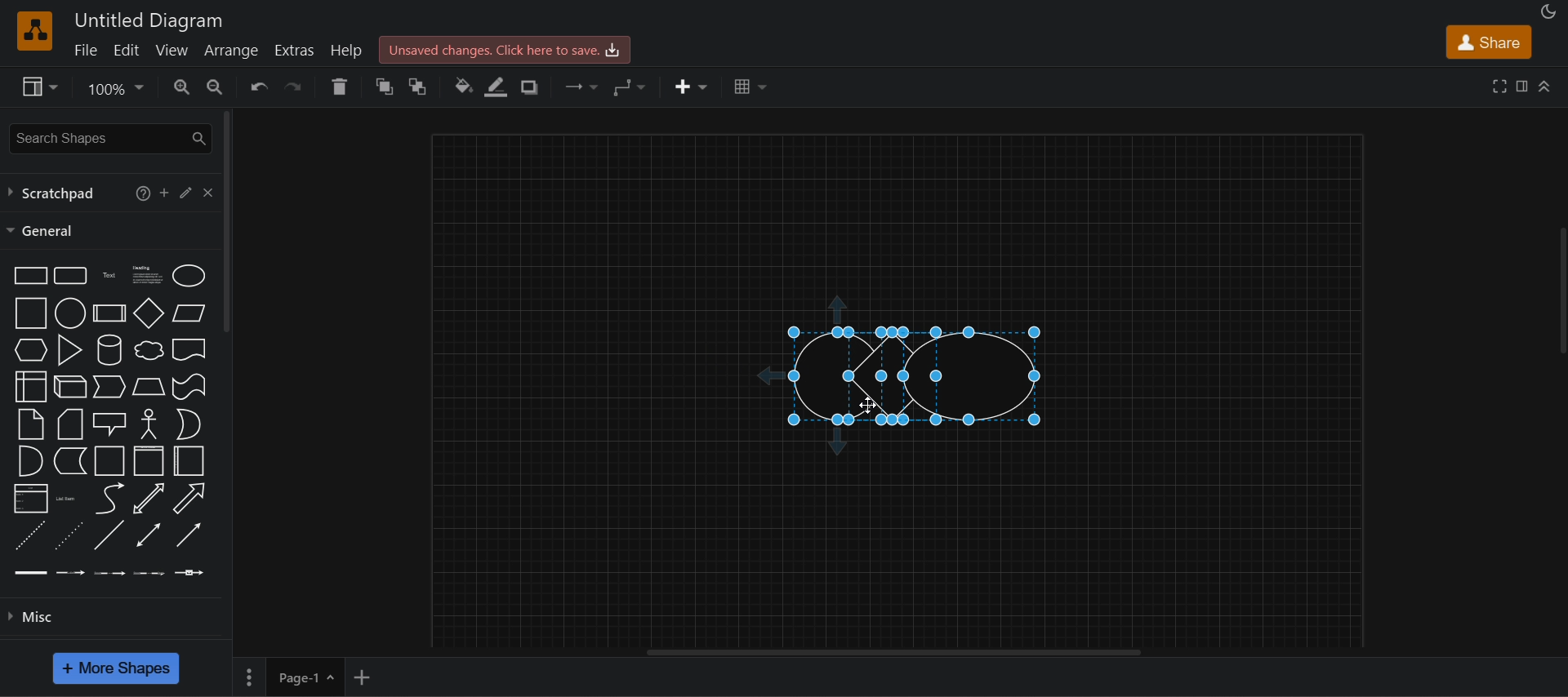  I want to click on guide arrow, so click(764, 376).